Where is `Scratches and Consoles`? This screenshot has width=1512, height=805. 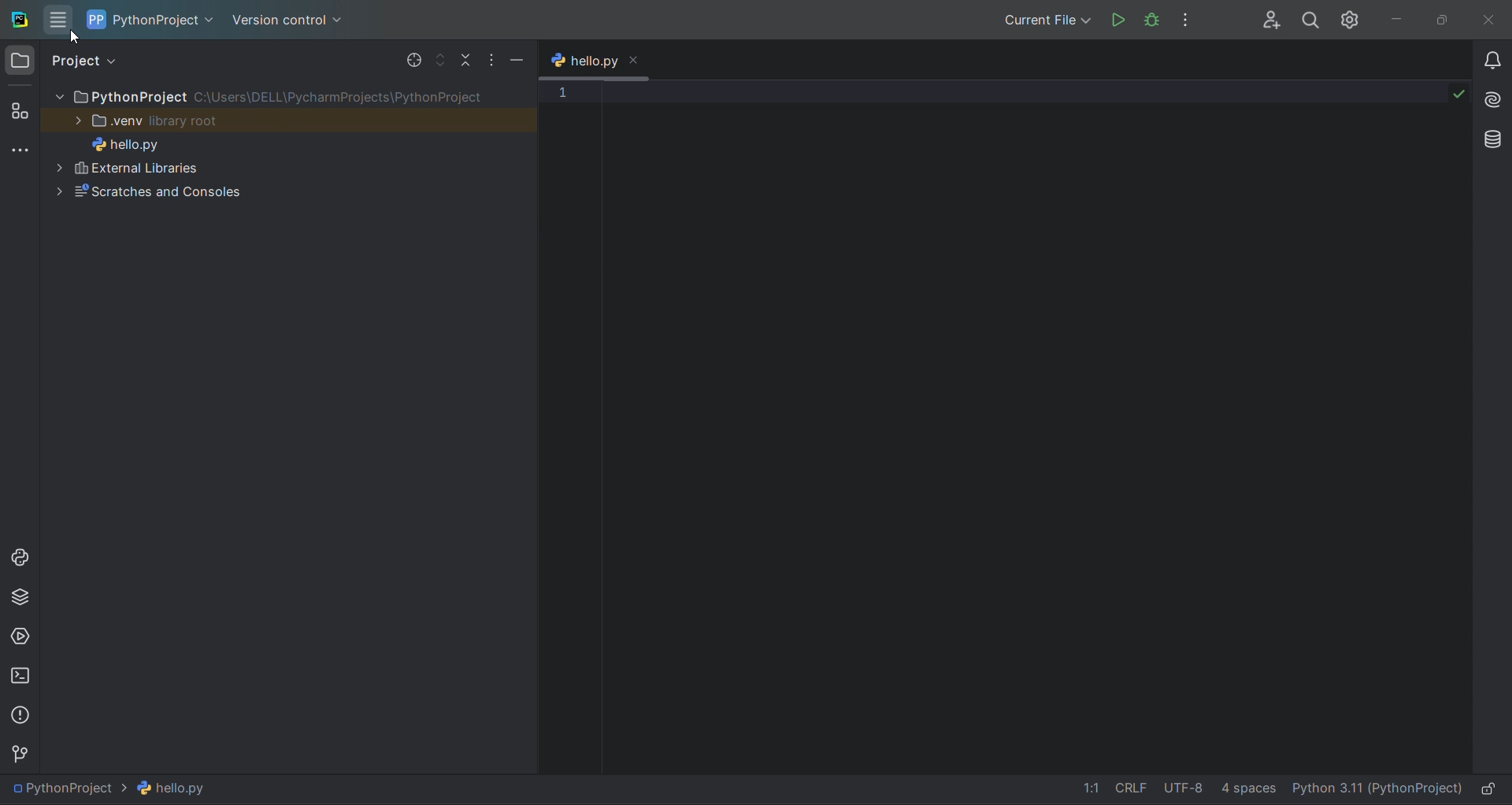
Scratches and Consoles is located at coordinates (167, 198).